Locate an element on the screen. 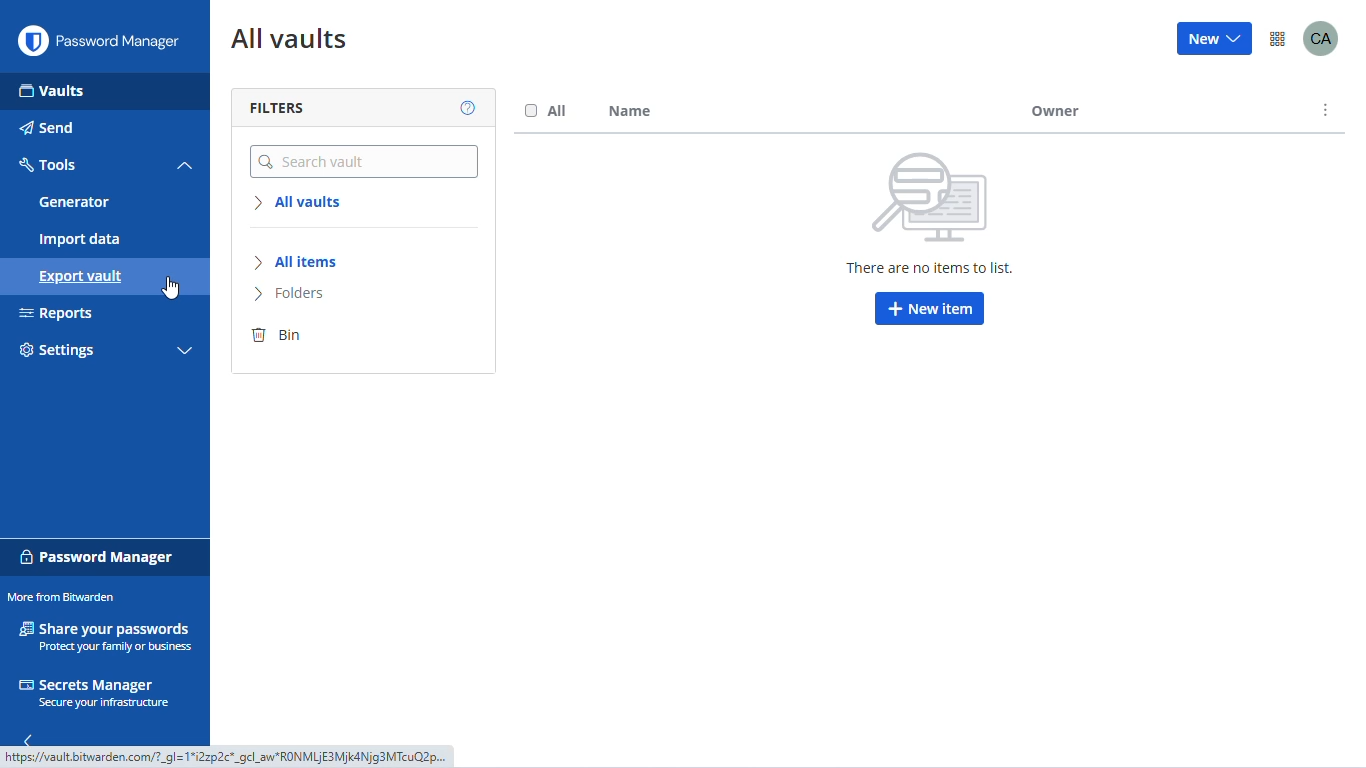 The height and width of the screenshot is (768, 1366). toggle collapse is located at coordinates (185, 166).